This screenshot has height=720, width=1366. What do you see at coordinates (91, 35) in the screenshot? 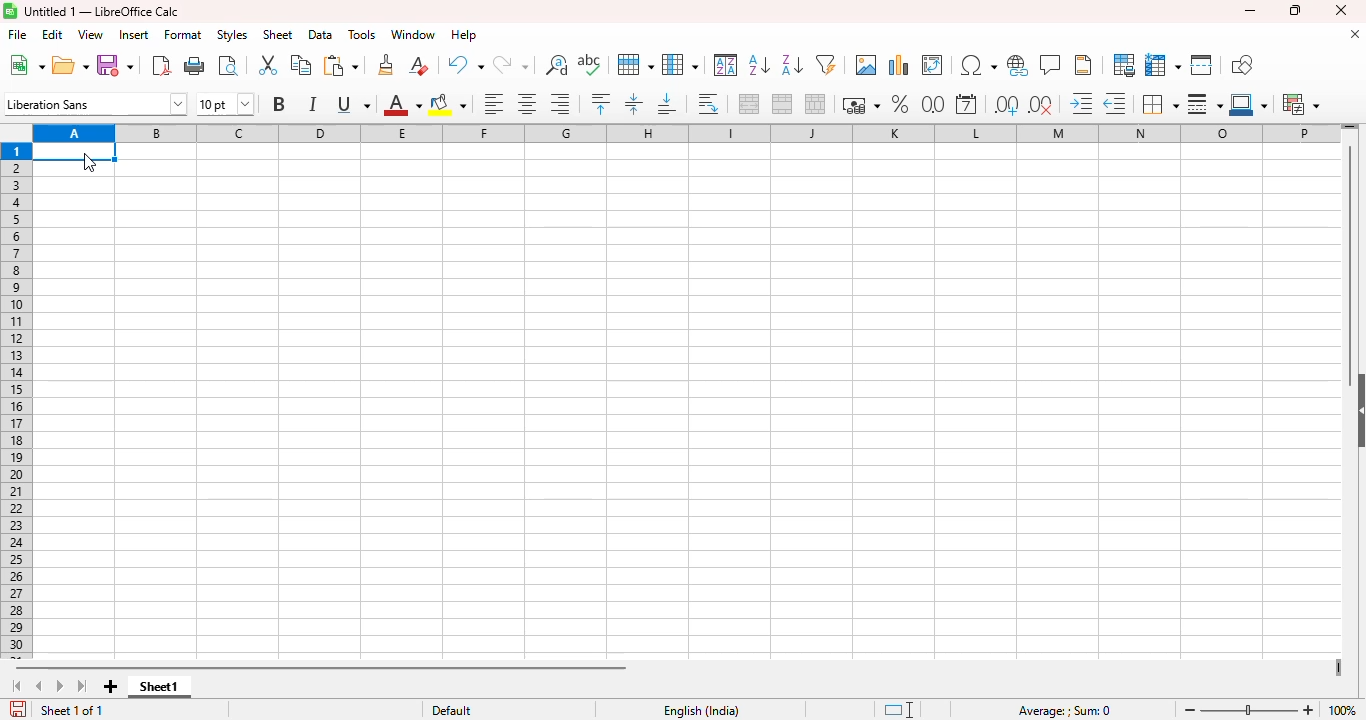
I see `view` at bounding box center [91, 35].